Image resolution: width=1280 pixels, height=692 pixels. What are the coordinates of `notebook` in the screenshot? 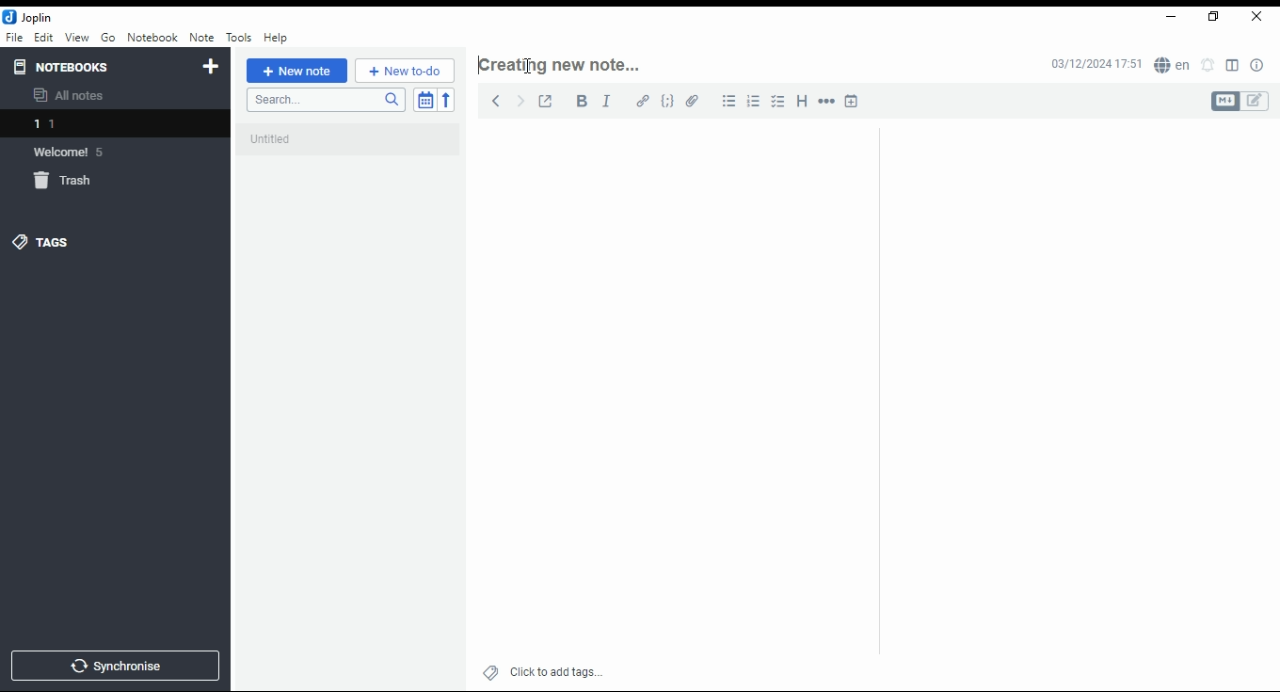 It's located at (152, 37).